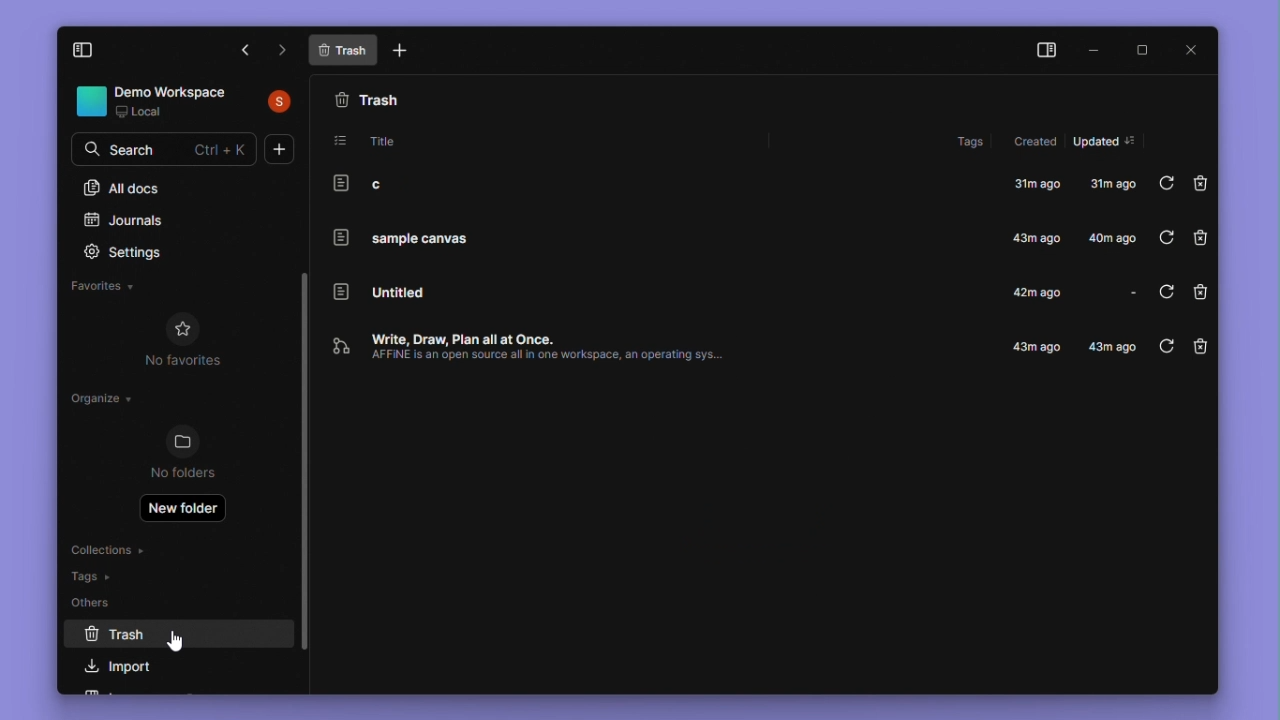 Image resolution: width=1280 pixels, height=720 pixels. What do you see at coordinates (177, 640) in the screenshot?
I see `cursor` at bounding box center [177, 640].